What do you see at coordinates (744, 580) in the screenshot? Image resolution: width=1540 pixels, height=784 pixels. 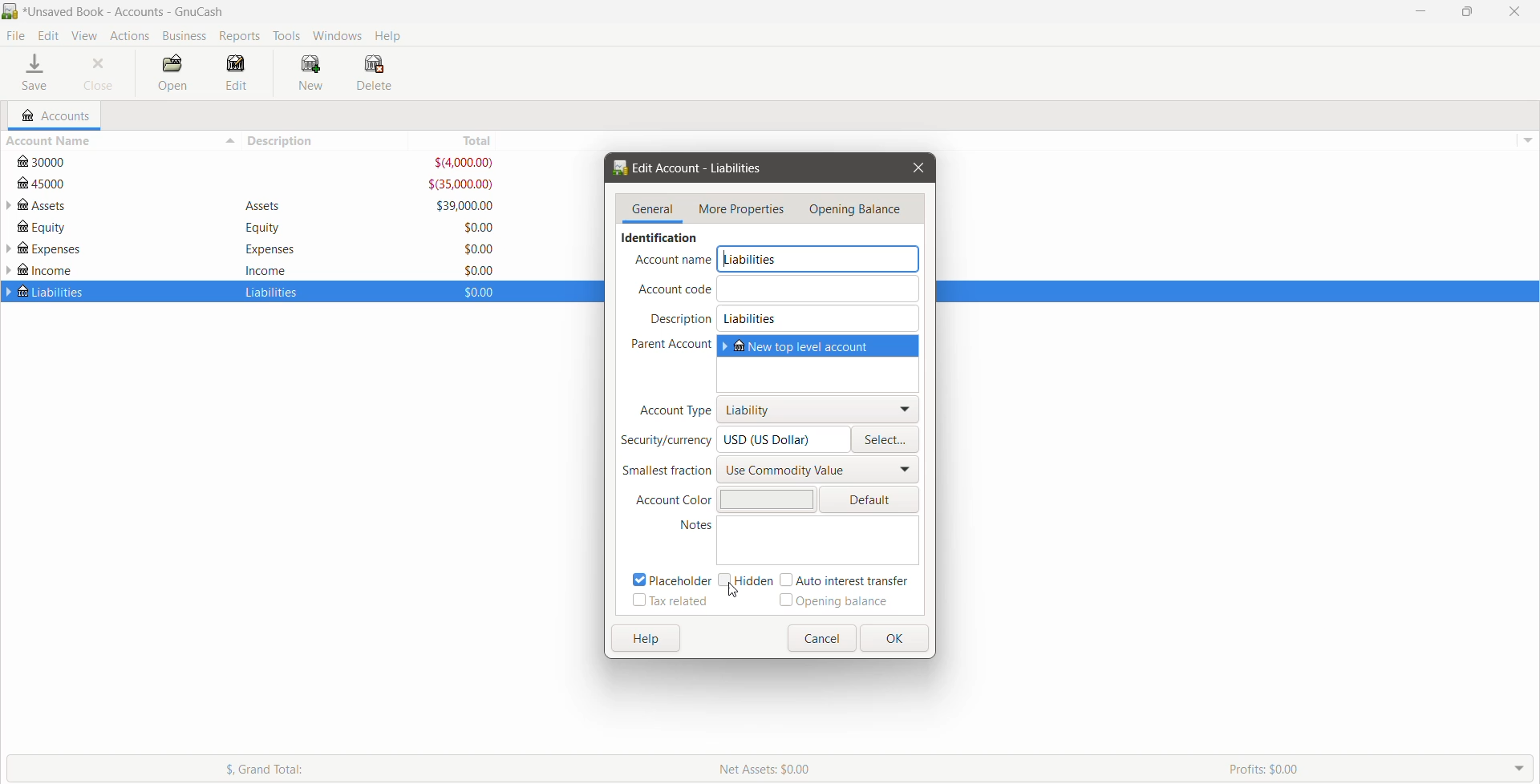 I see `Hidden - click to enable/disable` at bounding box center [744, 580].